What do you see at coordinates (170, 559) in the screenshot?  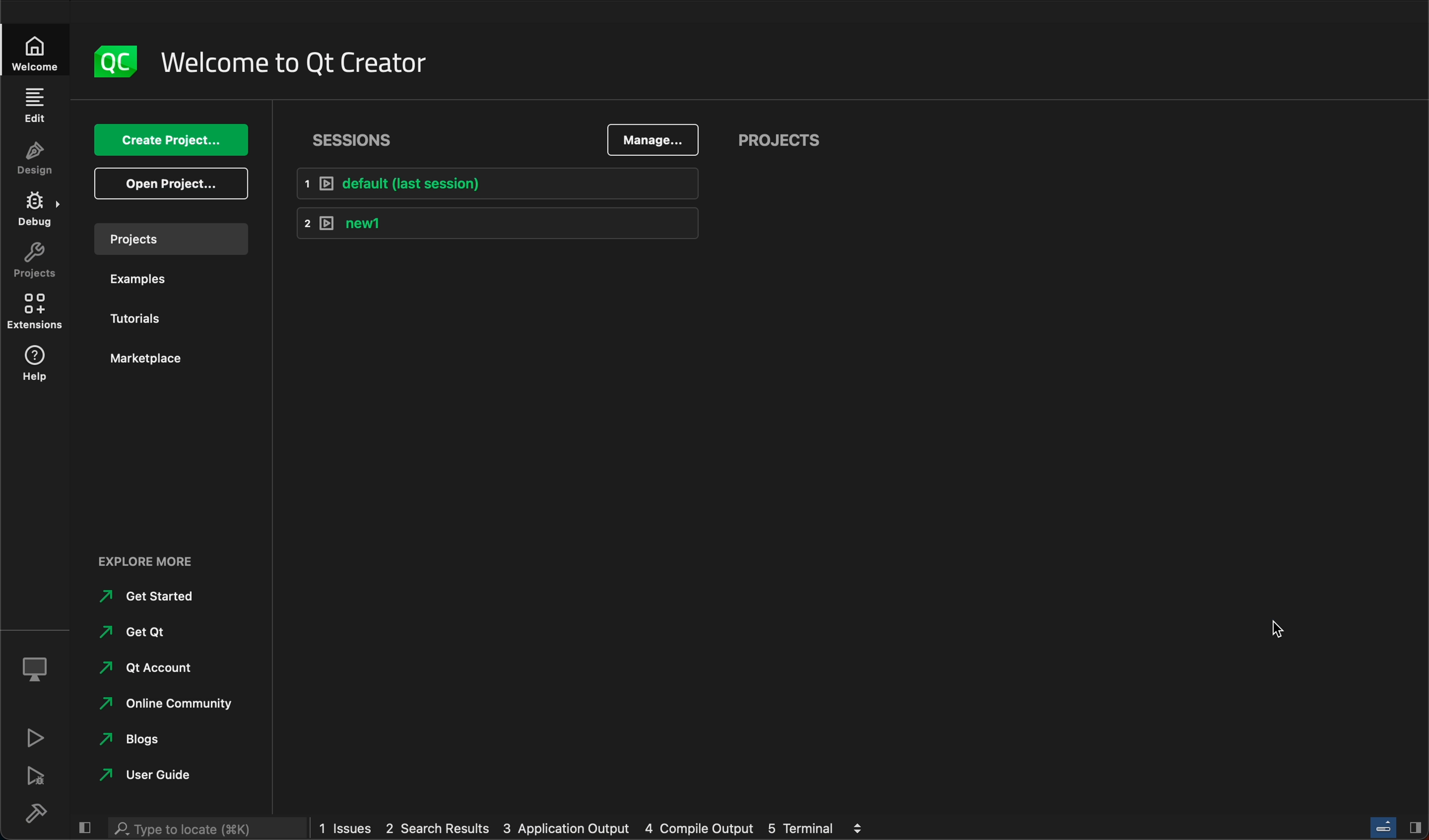 I see `Explore more` at bounding box center [170, 559].